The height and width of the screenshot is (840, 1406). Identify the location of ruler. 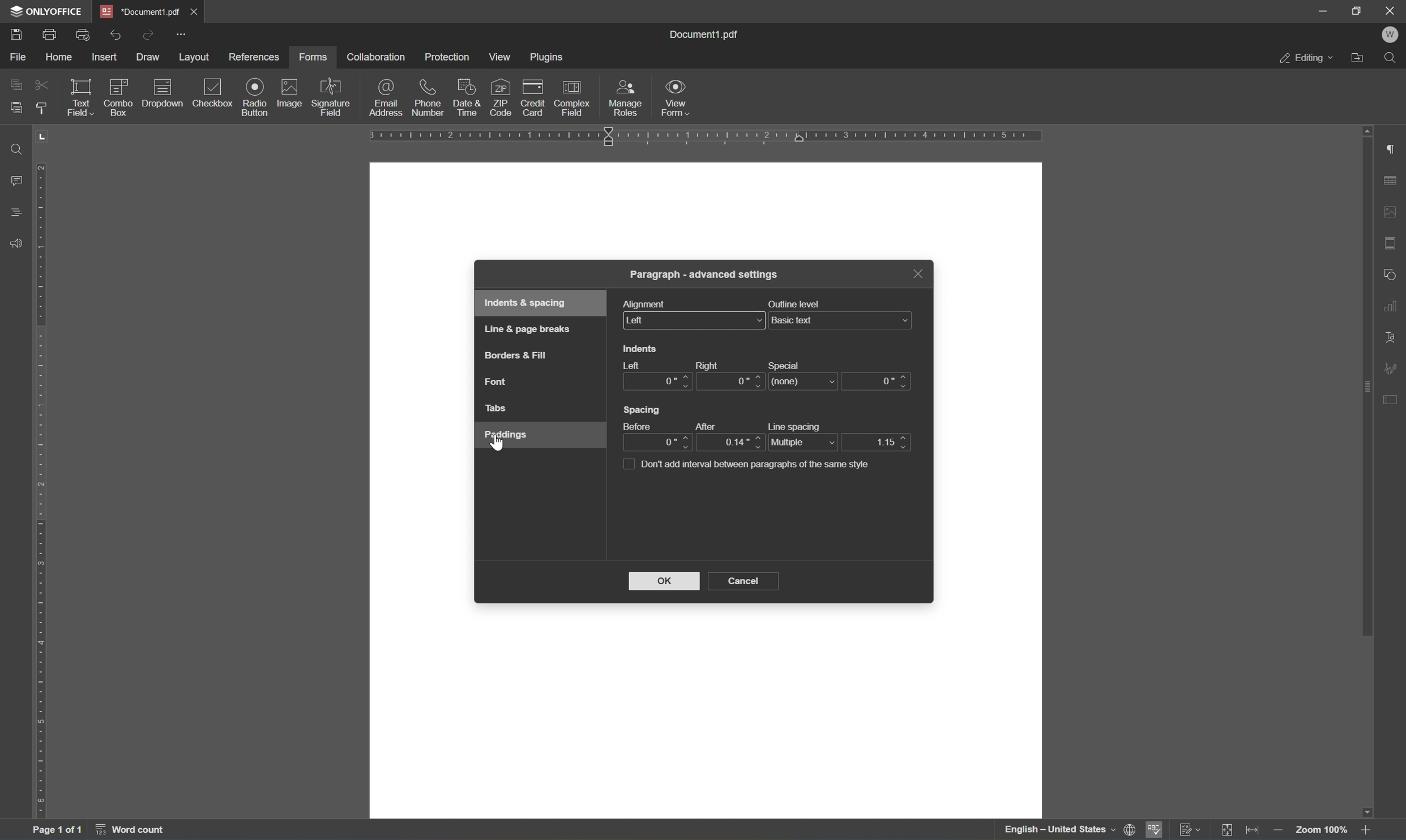
(706, 138).